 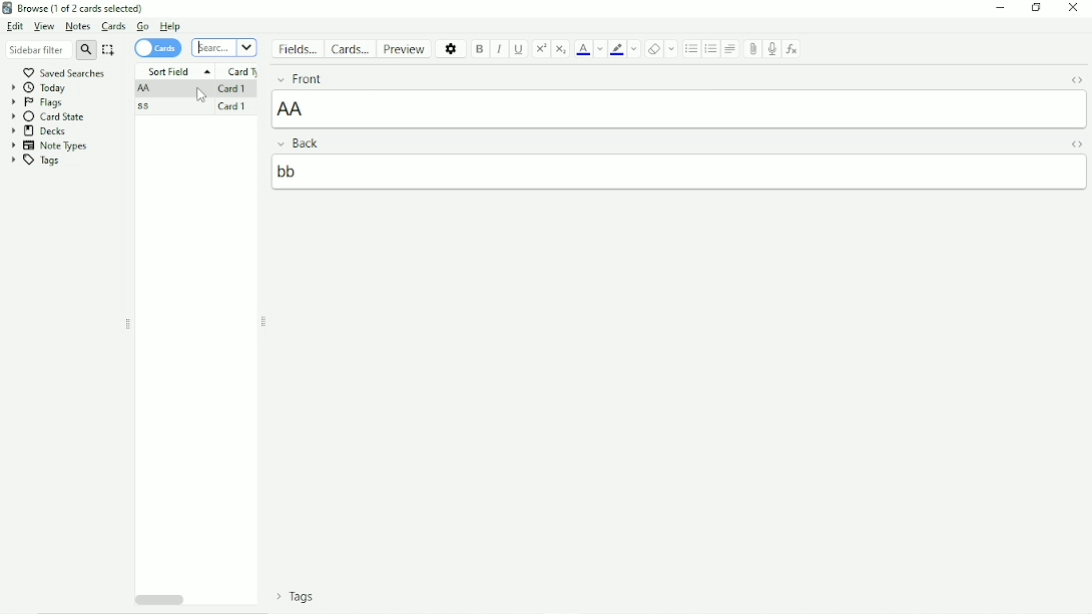 I want to click on Flags, so click(x=37, y=103).